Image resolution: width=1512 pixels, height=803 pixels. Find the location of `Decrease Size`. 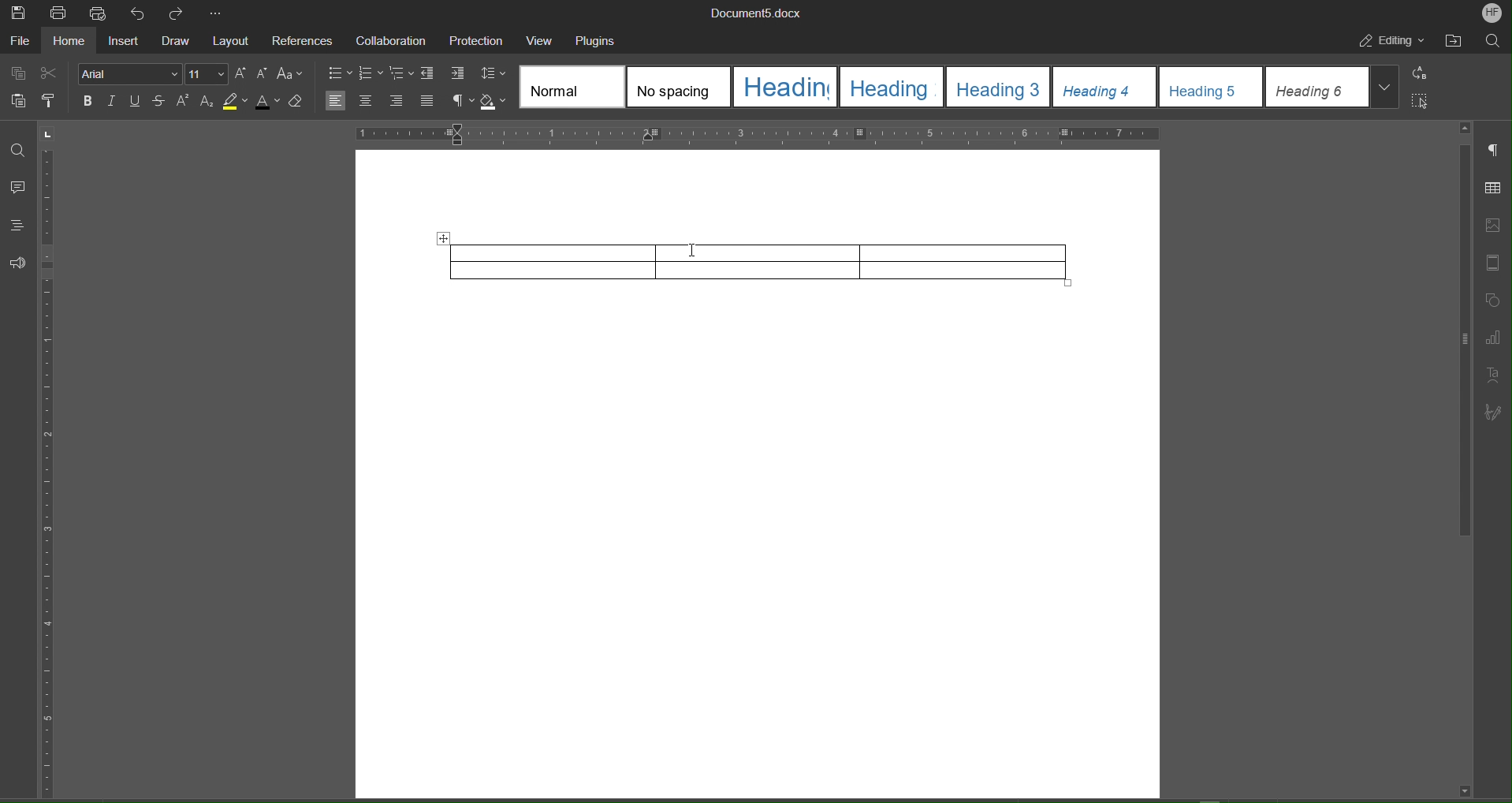

Decrease Size is located at coordinates (262, 74).